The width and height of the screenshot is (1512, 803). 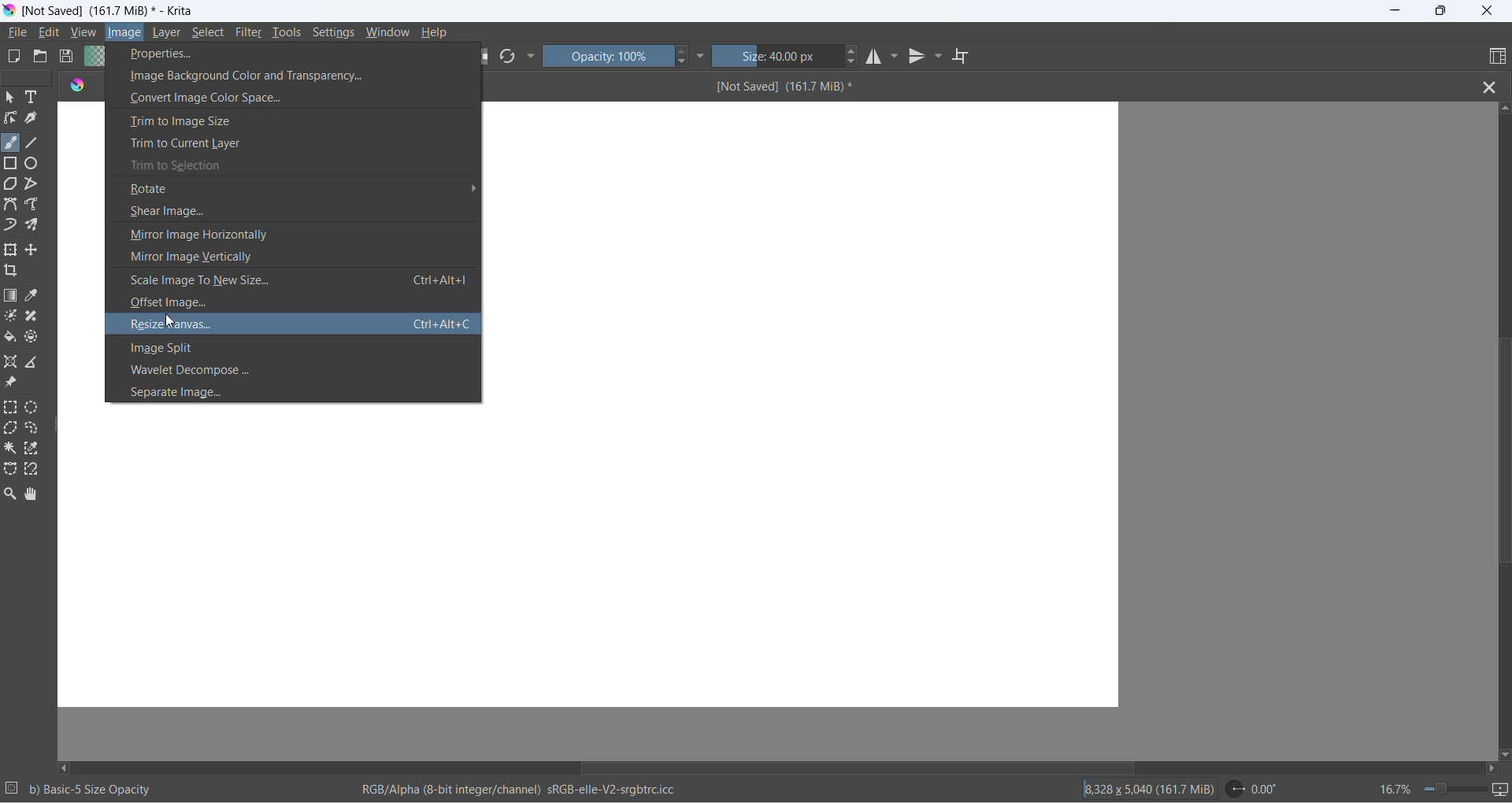 I want to click on trim to image size, so click(x=294, y=120).